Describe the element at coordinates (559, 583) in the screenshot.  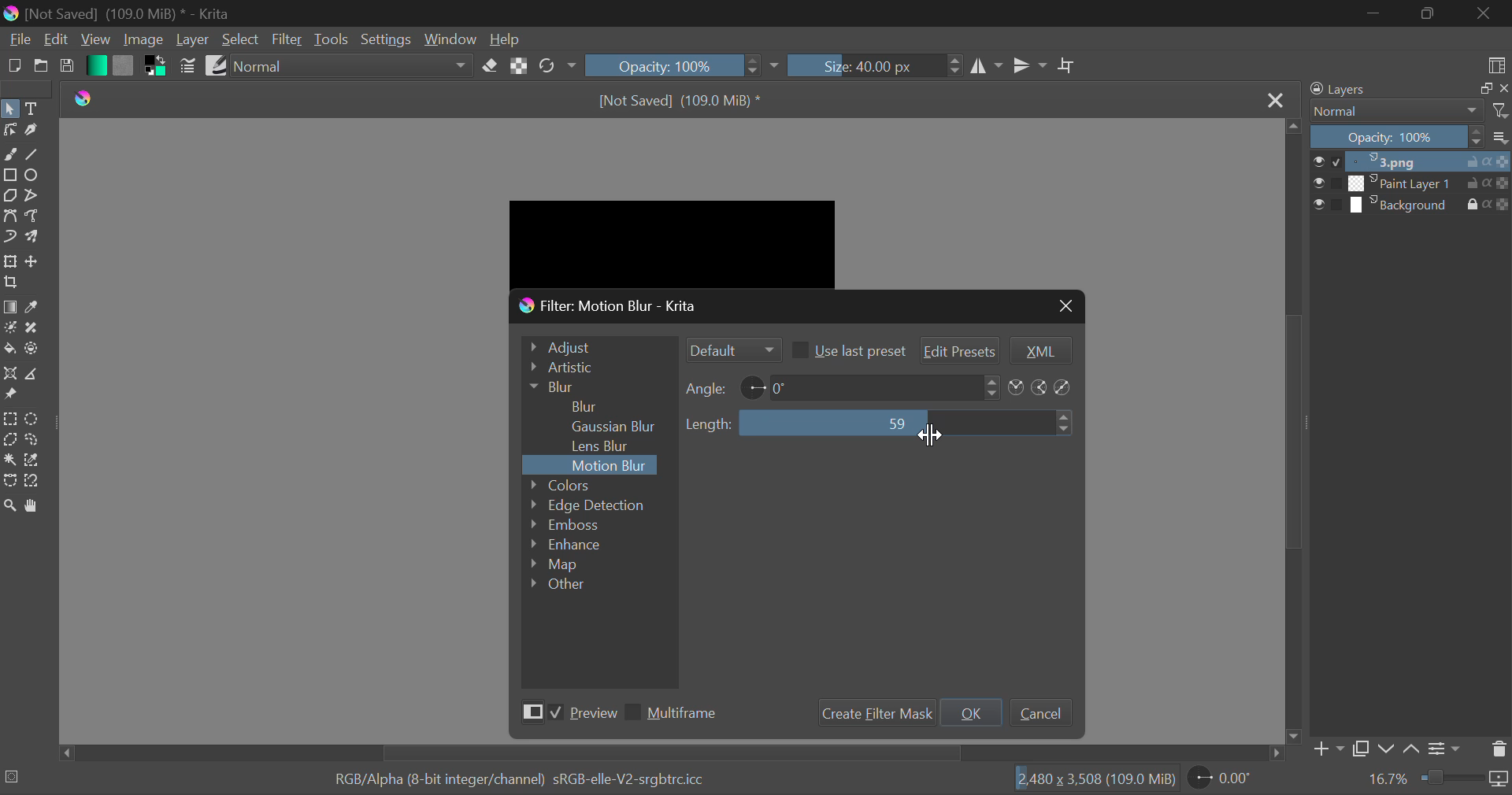
I see `Other` at that location.